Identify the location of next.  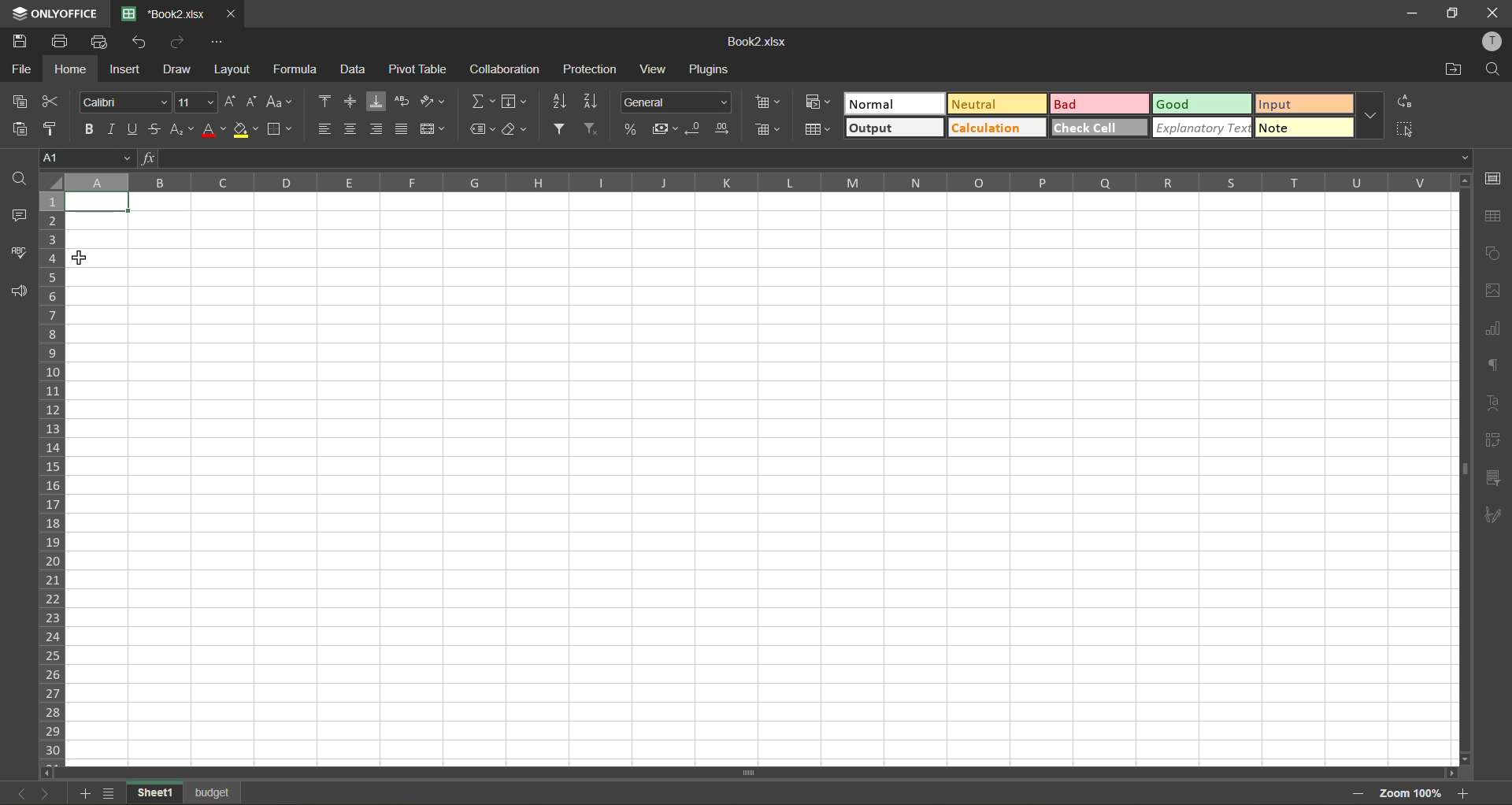
(42, 793).